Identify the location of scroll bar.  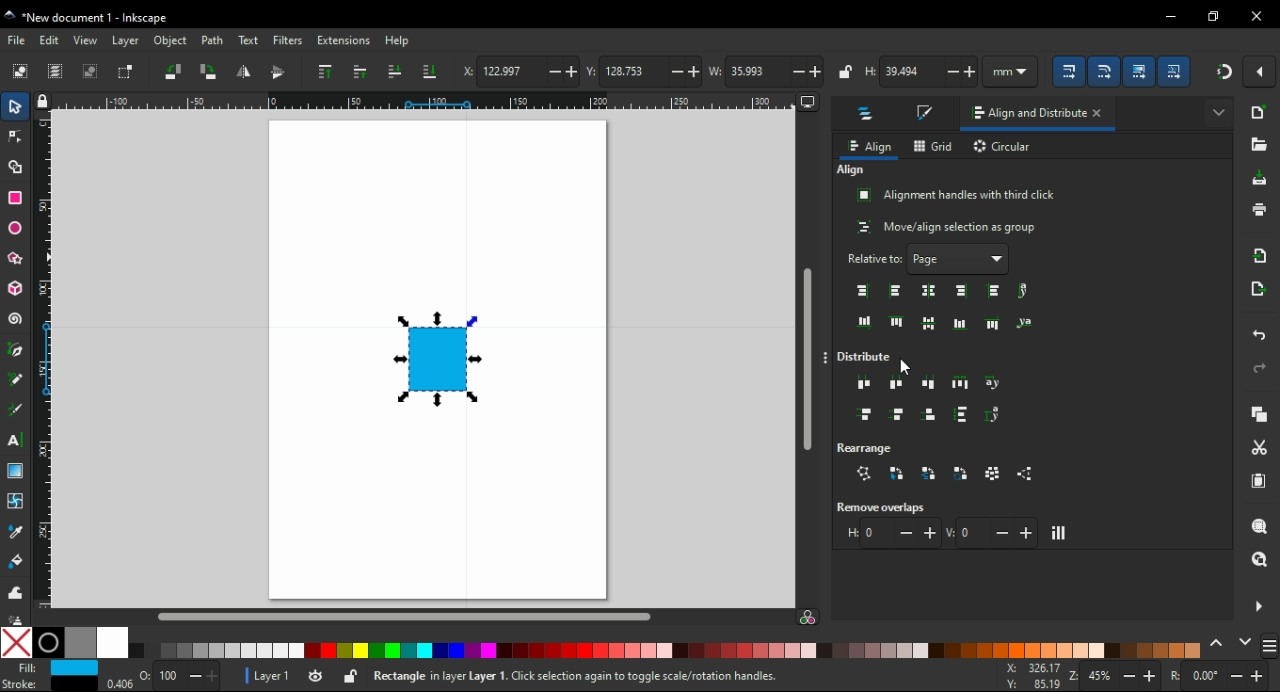
(423, 616).